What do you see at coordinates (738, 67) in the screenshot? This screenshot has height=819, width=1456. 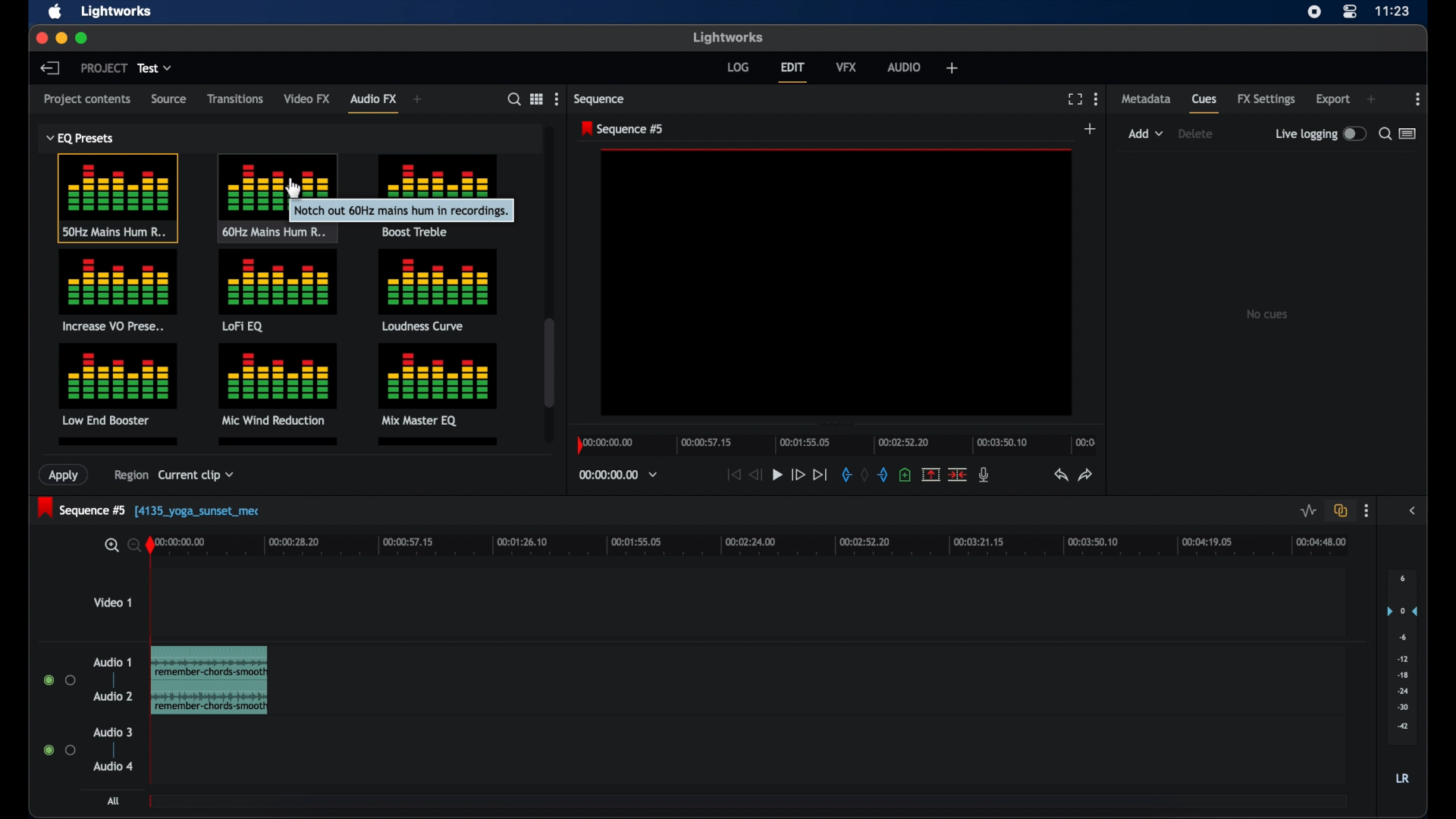 I see `log` at bounding box center [738, 67].